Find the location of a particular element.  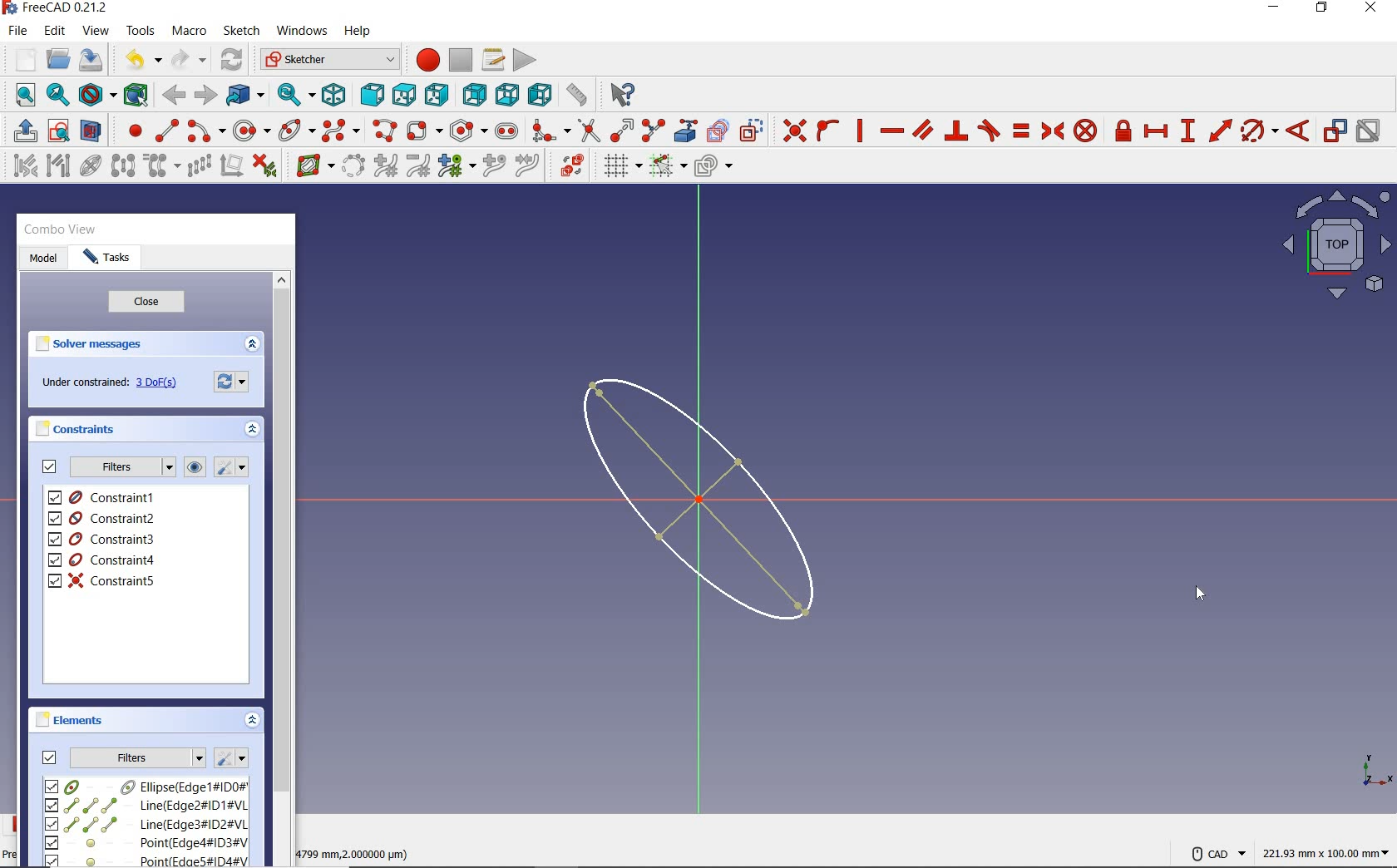

cursor is located at coordinates (1200, 593).